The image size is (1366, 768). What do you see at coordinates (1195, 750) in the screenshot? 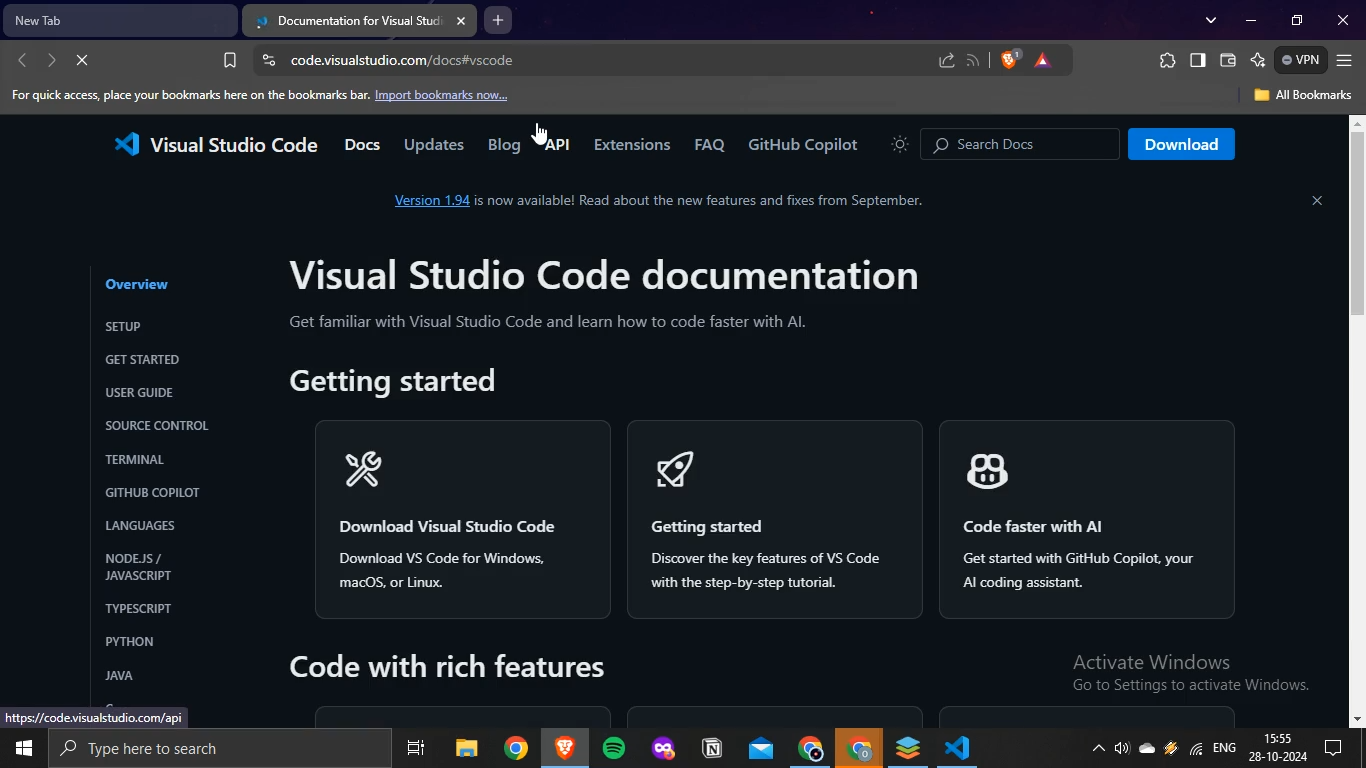
I see `wifi` at bounding box center [1195, 750].